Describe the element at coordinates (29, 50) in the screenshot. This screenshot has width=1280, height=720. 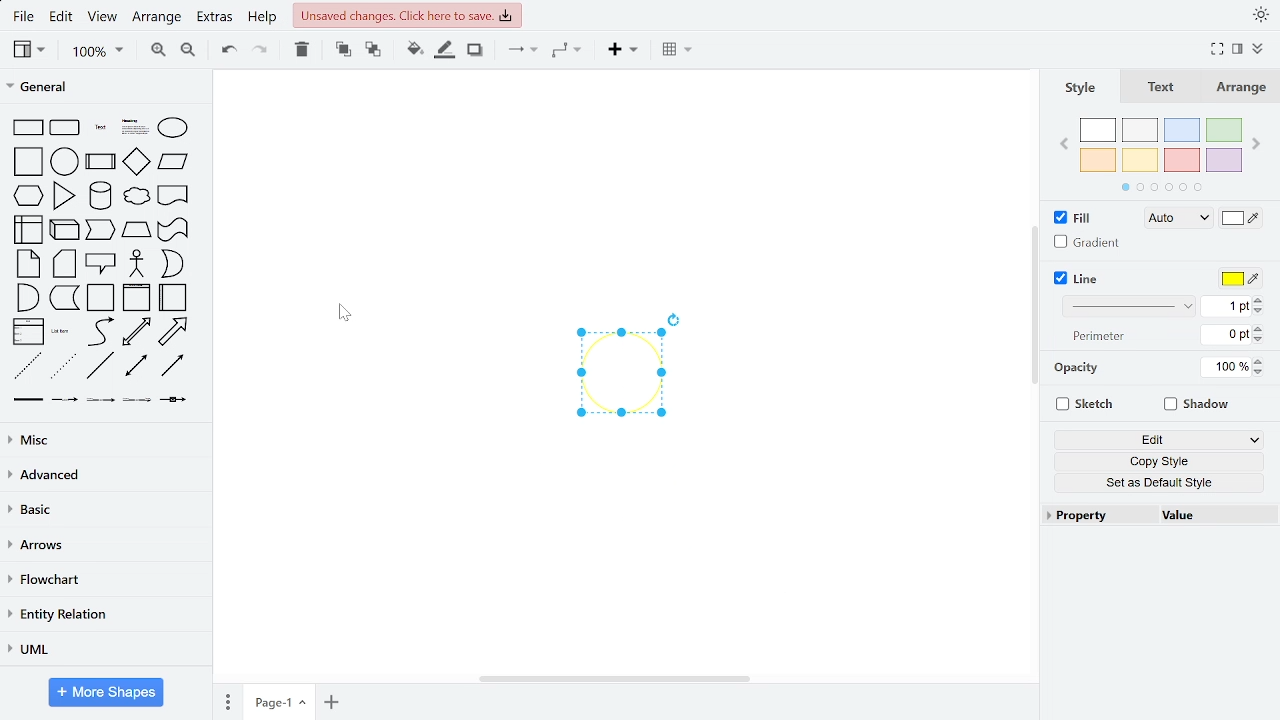
I see `view` at that location.